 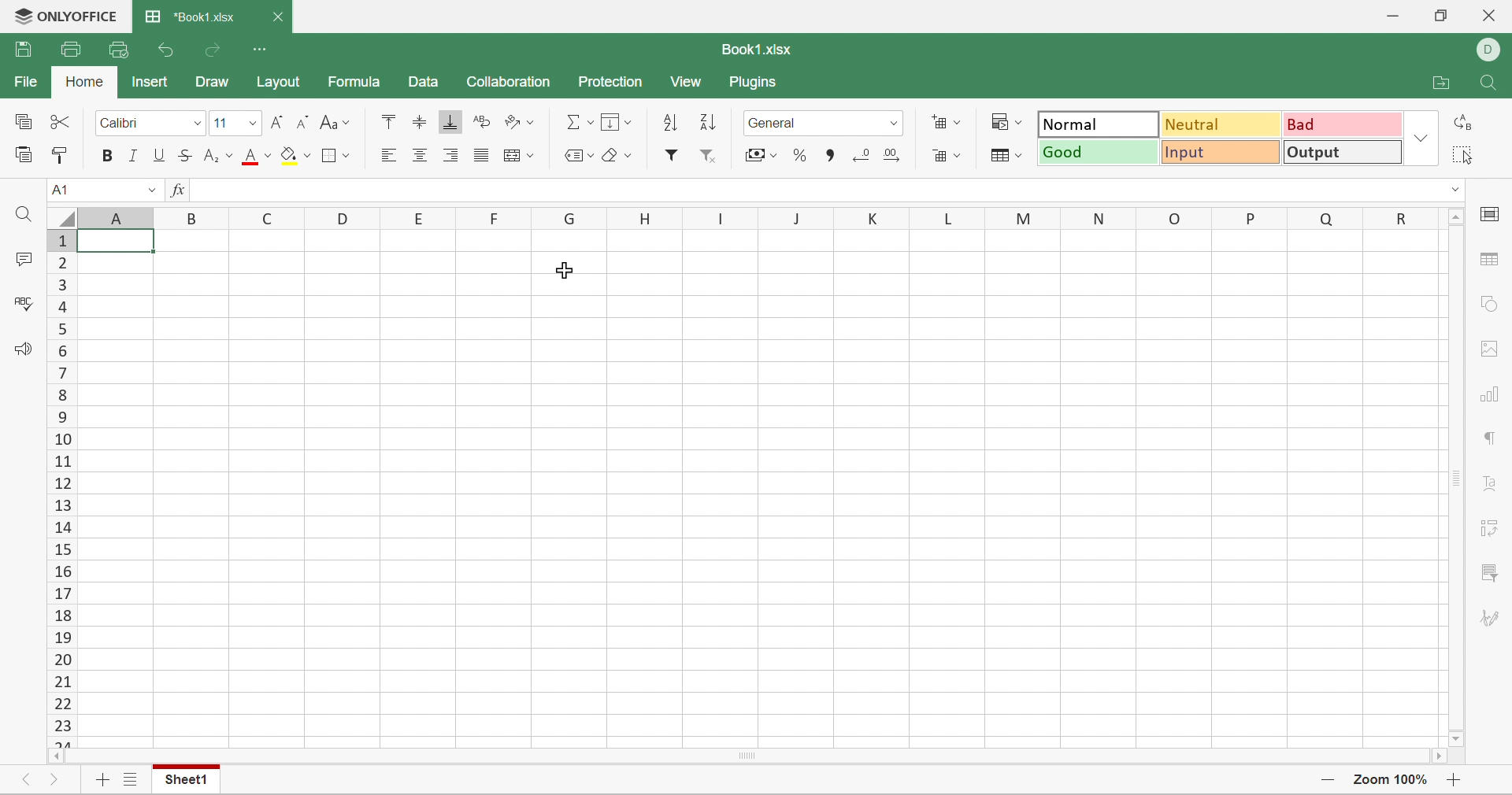 I want to click on Scroll Bar, so click(x=745, y=755).